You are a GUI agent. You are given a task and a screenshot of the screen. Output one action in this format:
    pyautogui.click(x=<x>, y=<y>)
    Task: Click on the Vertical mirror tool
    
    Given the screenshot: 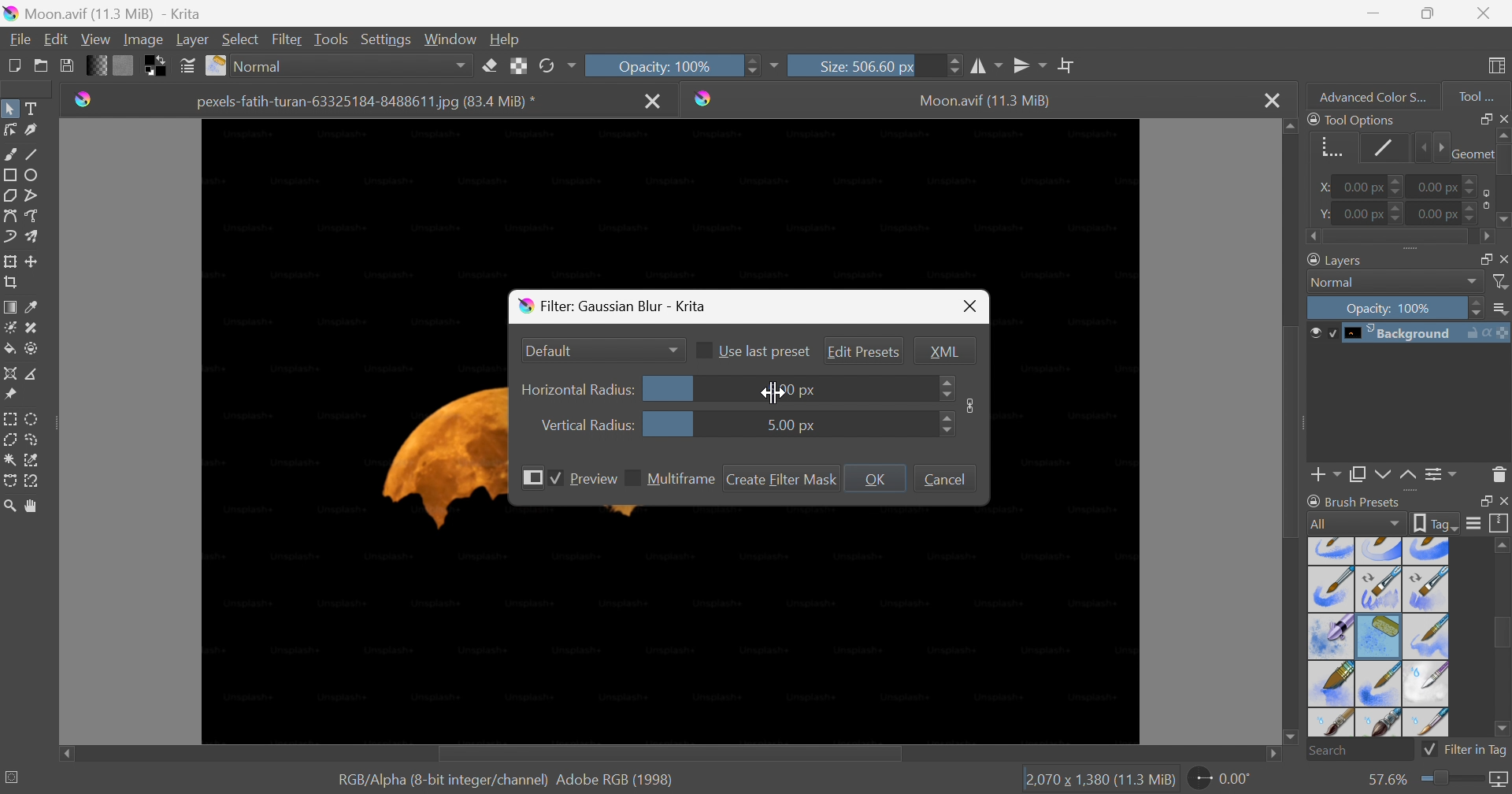 What is the action you would take?
    pyautogui.click(x=1030, y=65)
    